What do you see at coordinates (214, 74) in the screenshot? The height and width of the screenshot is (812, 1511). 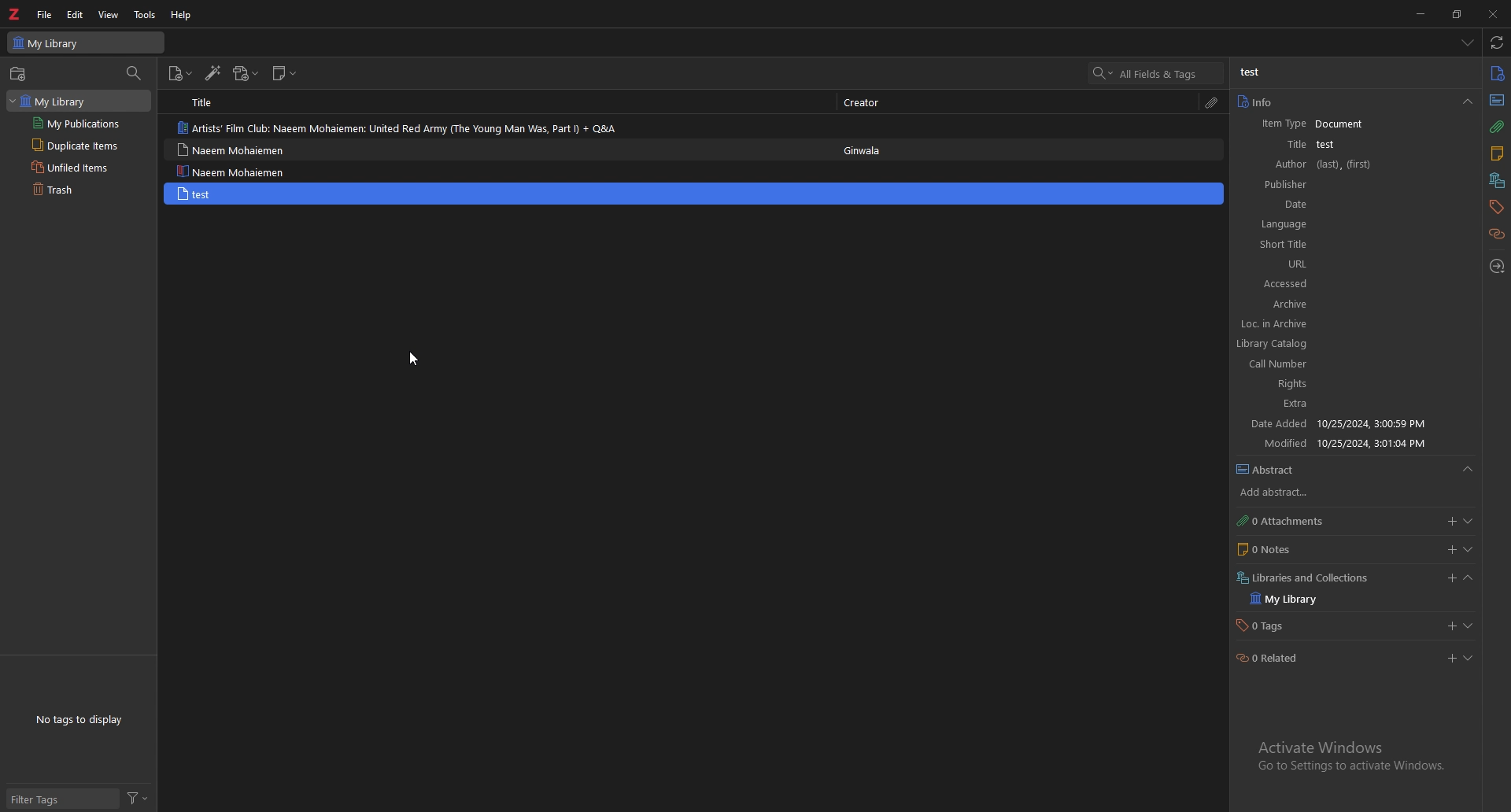 I see `add item by identifier` at bounding box center [214, 74].